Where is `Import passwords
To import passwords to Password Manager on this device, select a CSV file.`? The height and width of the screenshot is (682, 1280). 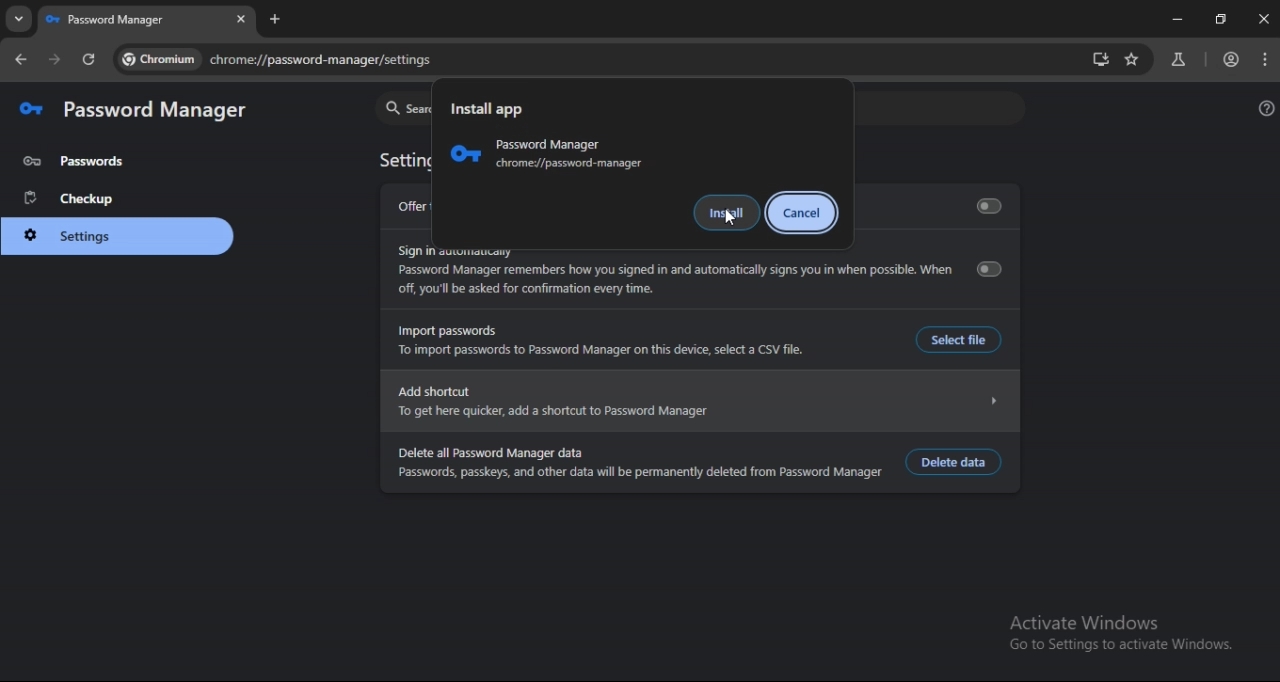 Import passwords
To import passwords to Password Manager on this device, select a CSV file. is located at coordinates (603, 341).